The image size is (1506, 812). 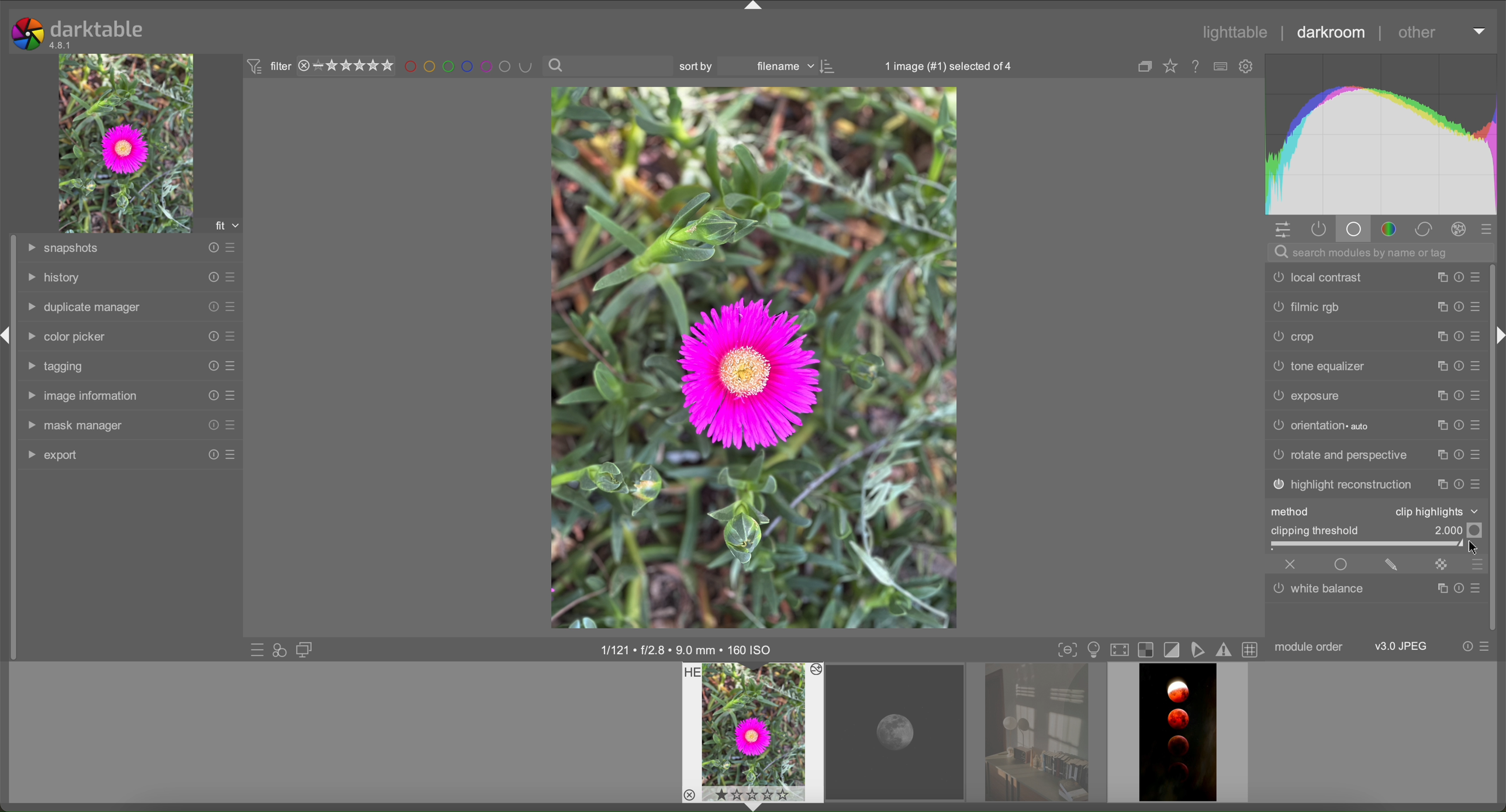 I want to click on JPEG, so click(x=1403, y=646).